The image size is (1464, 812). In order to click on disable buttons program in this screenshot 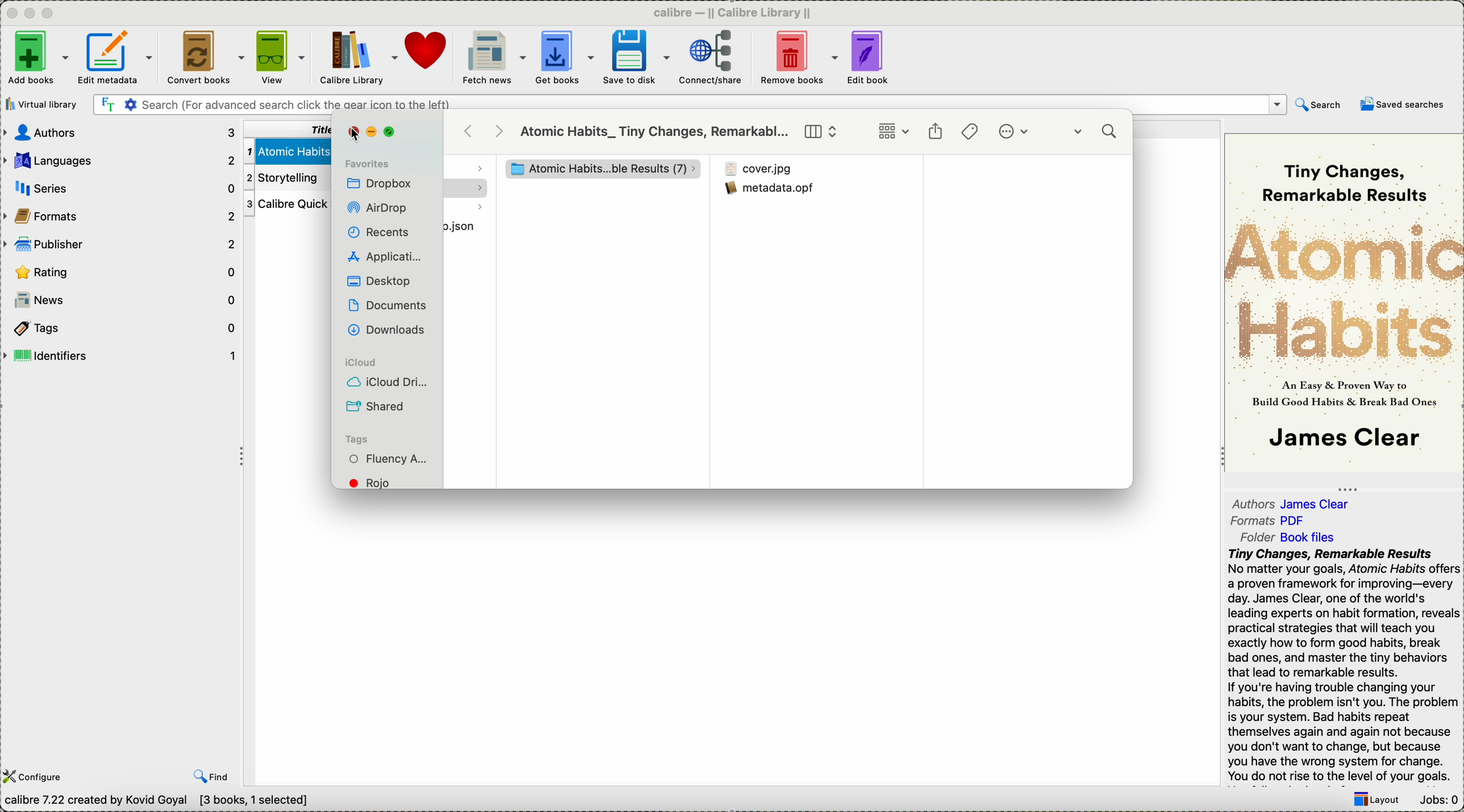, I will do `click(32, 14)`.